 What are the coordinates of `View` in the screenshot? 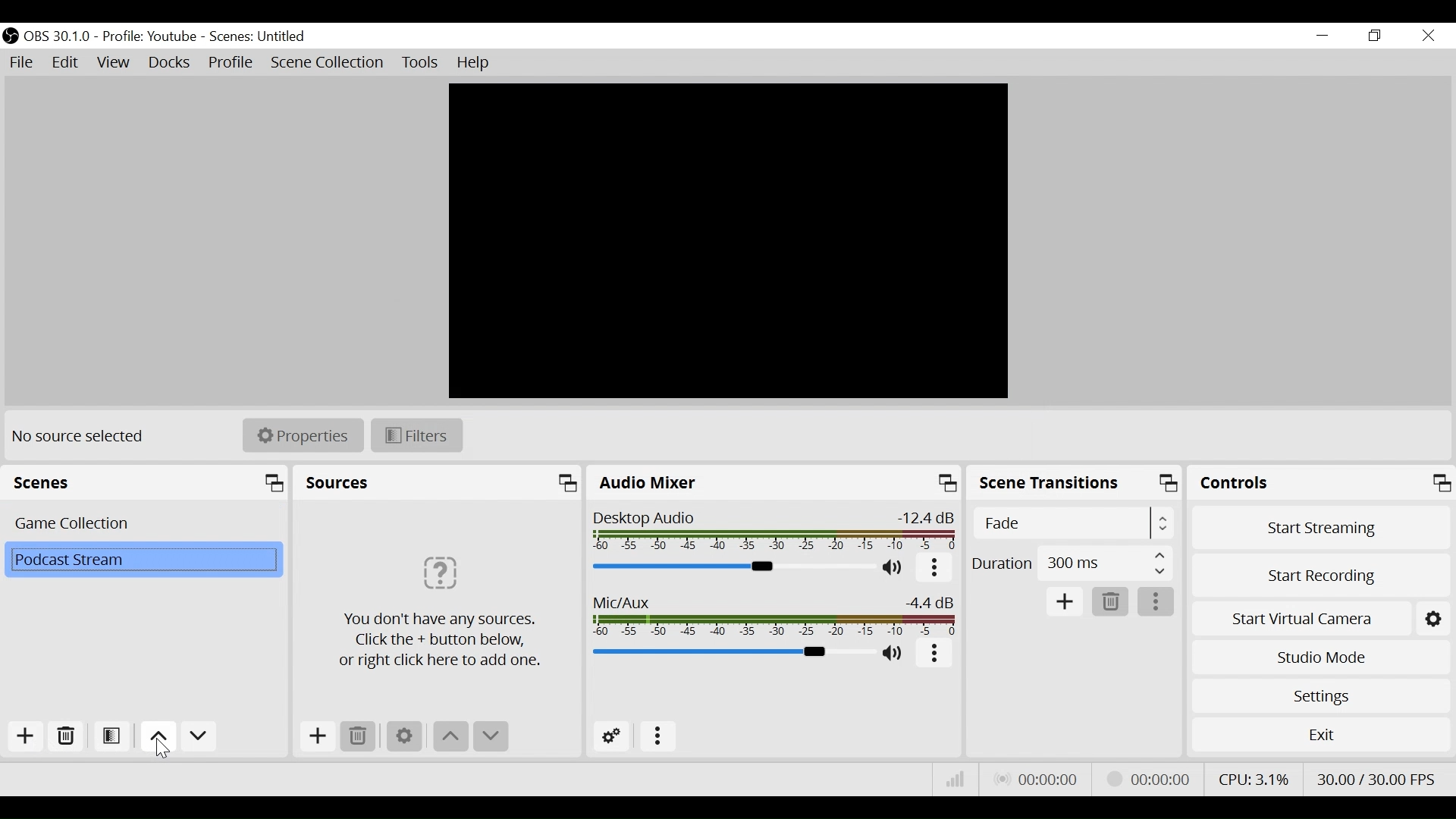 It's located at (115, 65).